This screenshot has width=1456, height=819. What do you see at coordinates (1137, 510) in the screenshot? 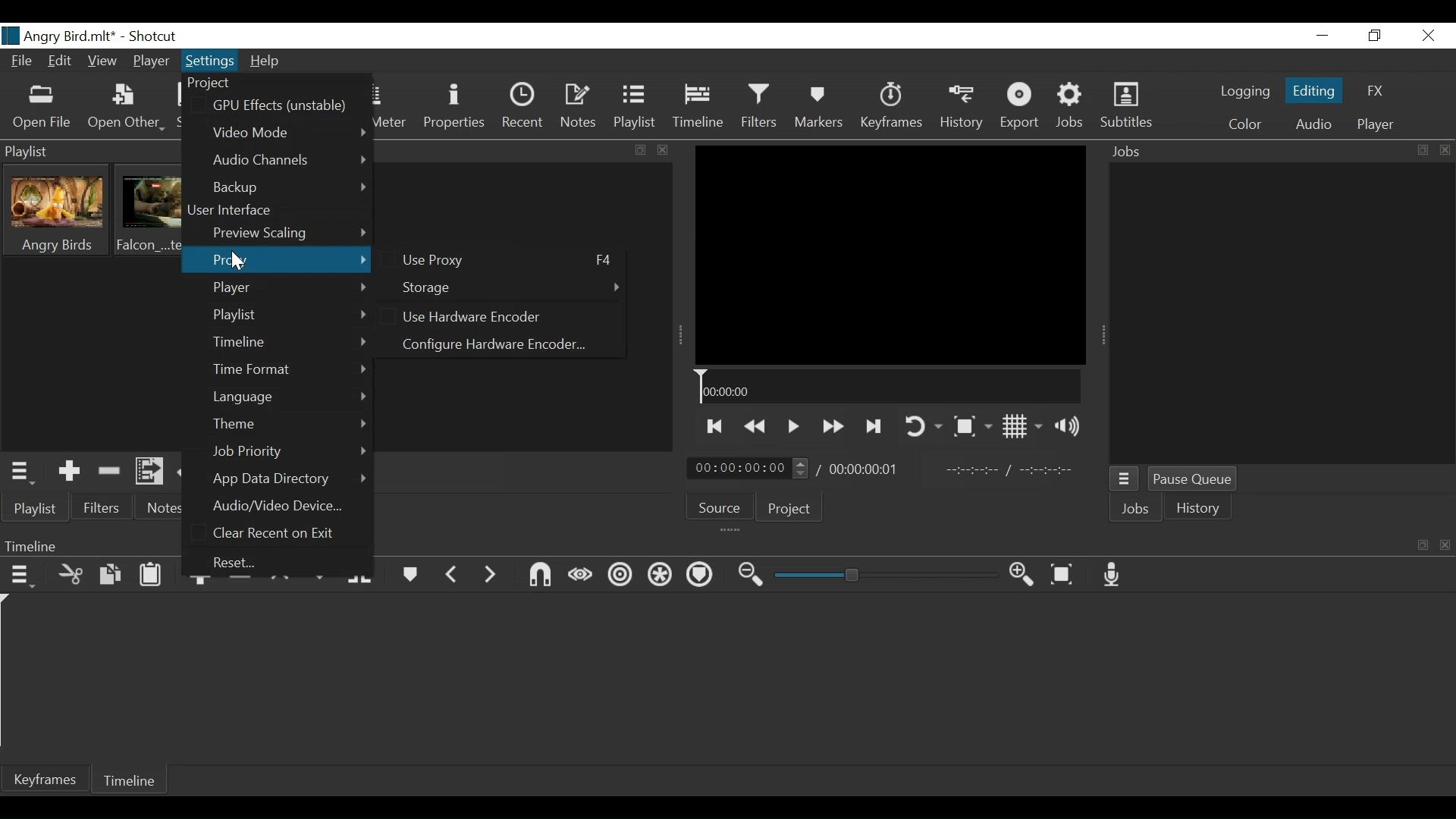
I see `Jobs` at bounding box center [1137, 510].